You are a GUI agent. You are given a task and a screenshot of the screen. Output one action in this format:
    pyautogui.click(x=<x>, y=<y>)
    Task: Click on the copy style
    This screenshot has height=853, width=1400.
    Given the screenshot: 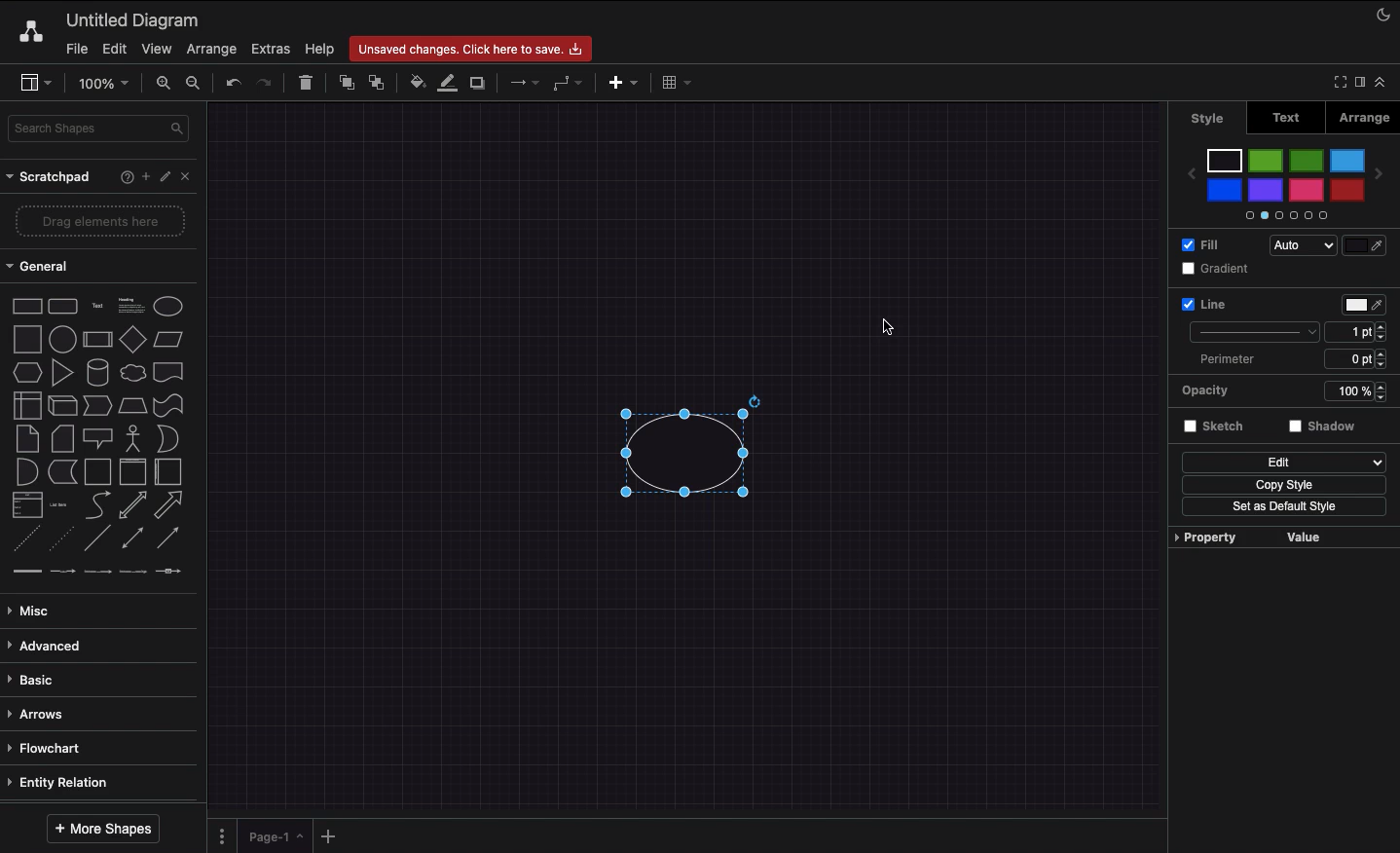 What is the action you would take?
    pyautogui.click(x=1287, y=484)
    